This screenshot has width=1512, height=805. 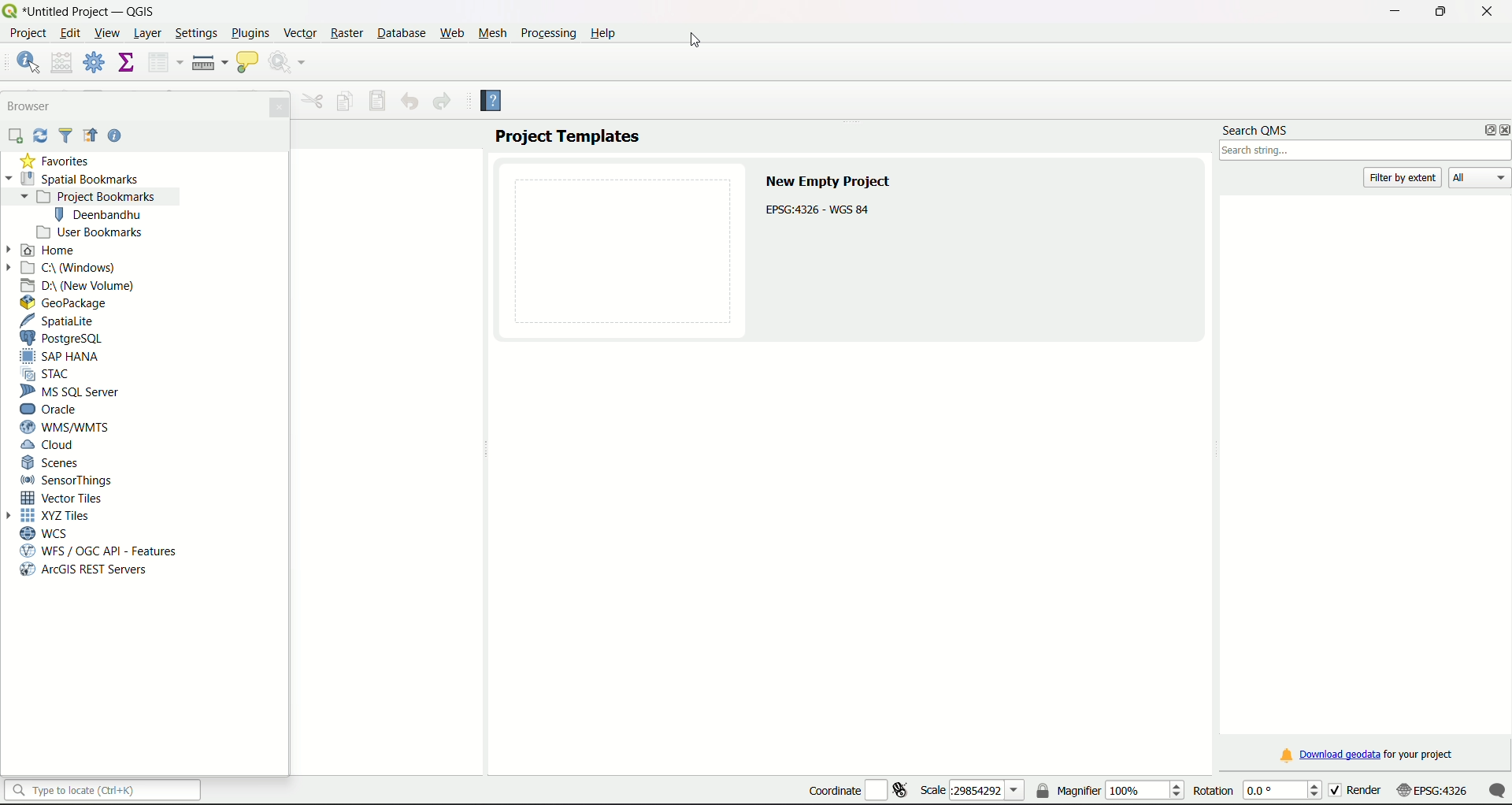 I want to click on minimize, so click(x=1392, y=12).